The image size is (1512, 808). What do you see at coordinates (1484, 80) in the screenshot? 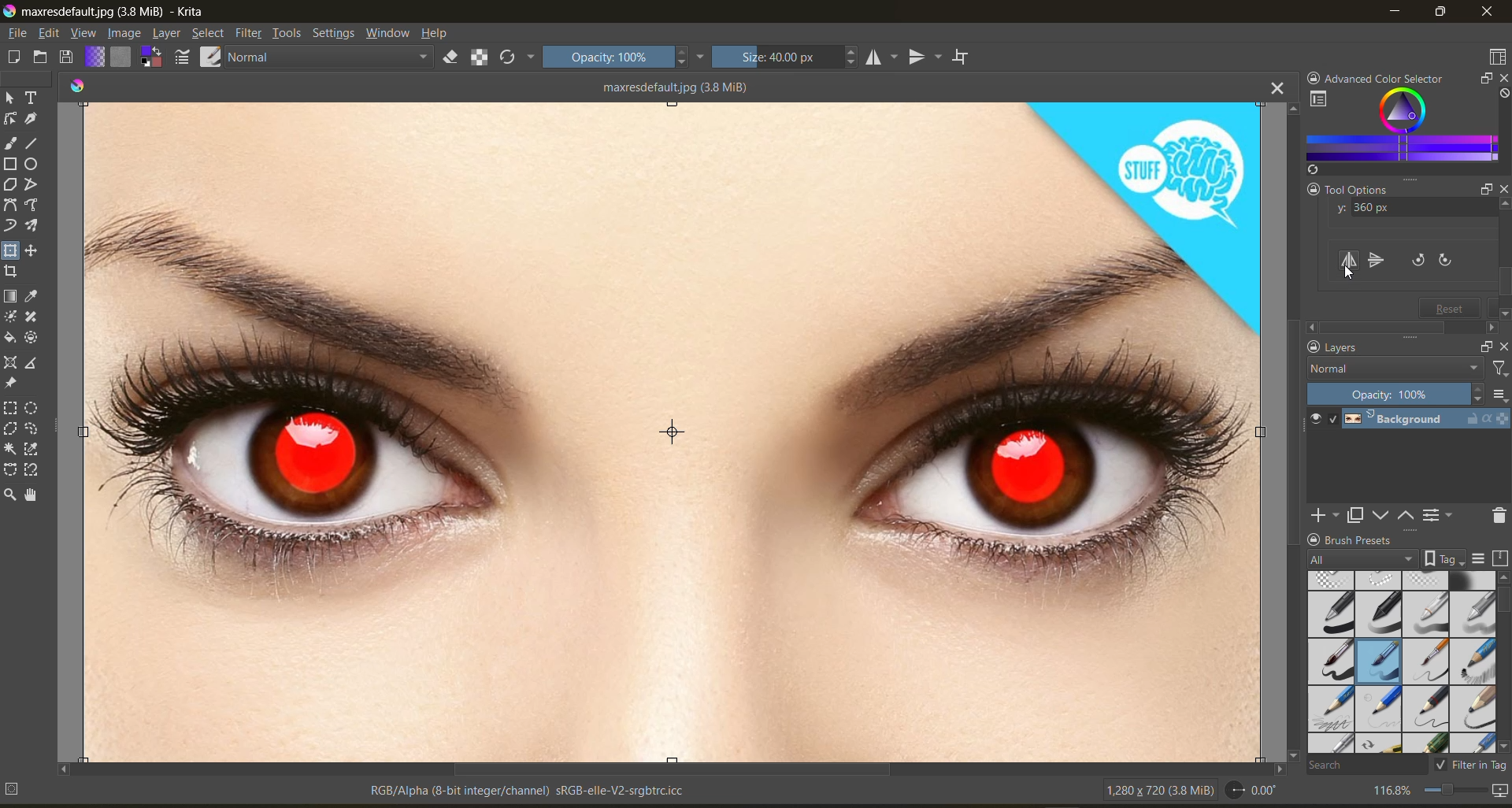
I see `float docker` at bounding box center [1484, 80].